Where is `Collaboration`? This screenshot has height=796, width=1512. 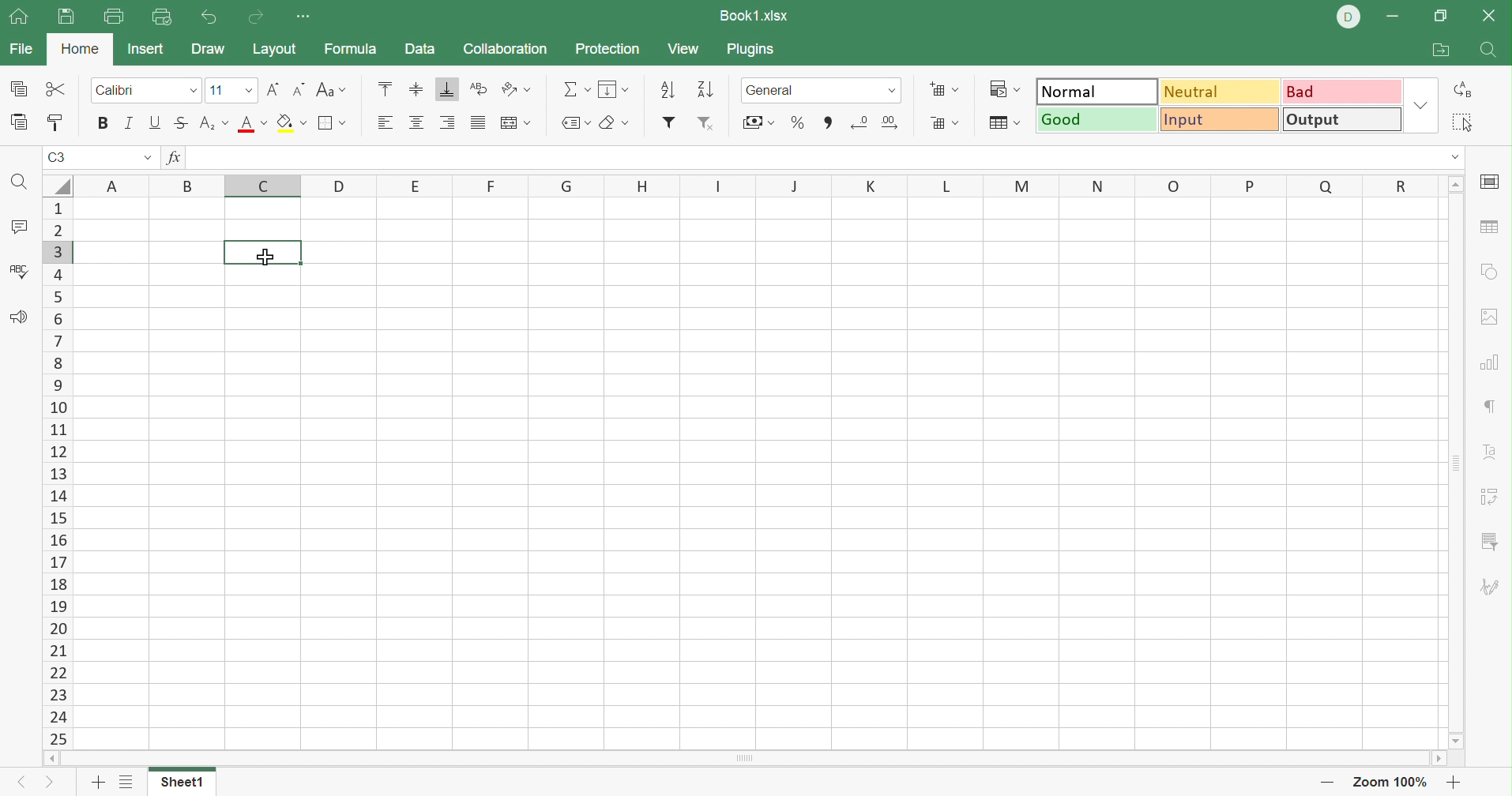 Collaboration is located at coordinates (506, 47).